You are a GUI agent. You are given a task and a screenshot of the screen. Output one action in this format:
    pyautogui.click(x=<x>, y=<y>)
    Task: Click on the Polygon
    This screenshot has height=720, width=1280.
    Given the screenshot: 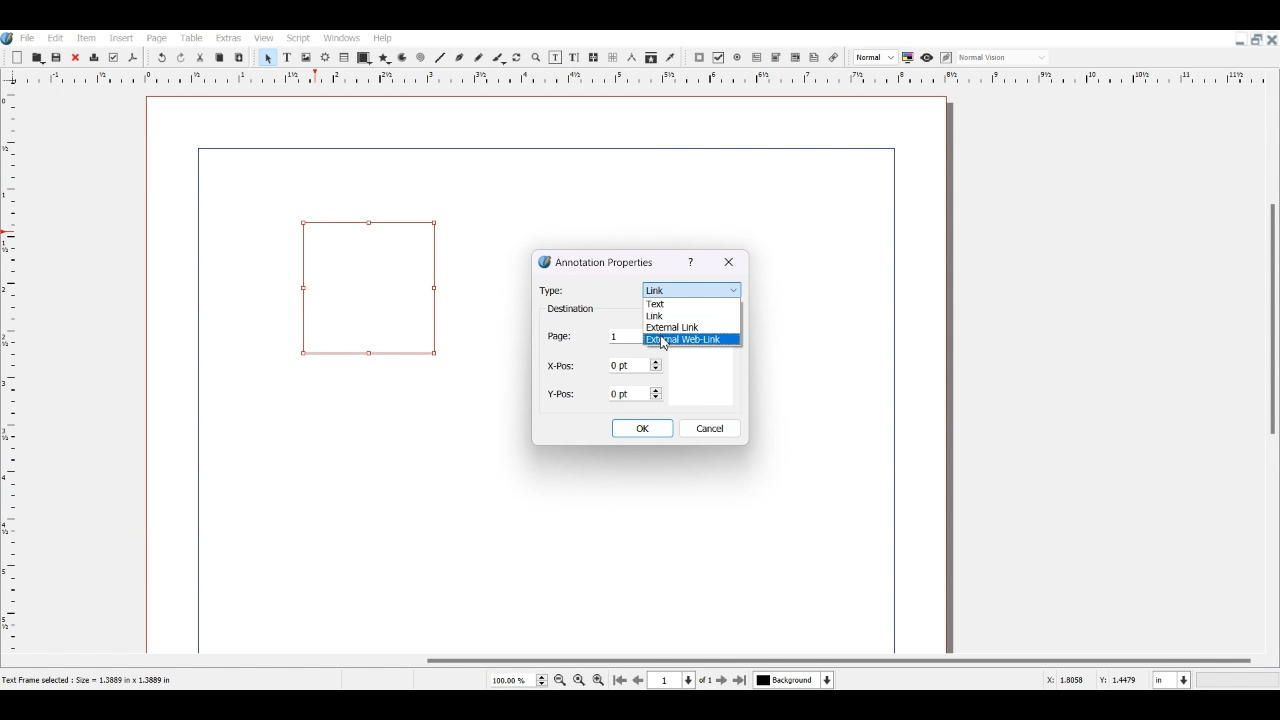 What is the action you would take?
    pyautogui.click(x=384, y=58)
    